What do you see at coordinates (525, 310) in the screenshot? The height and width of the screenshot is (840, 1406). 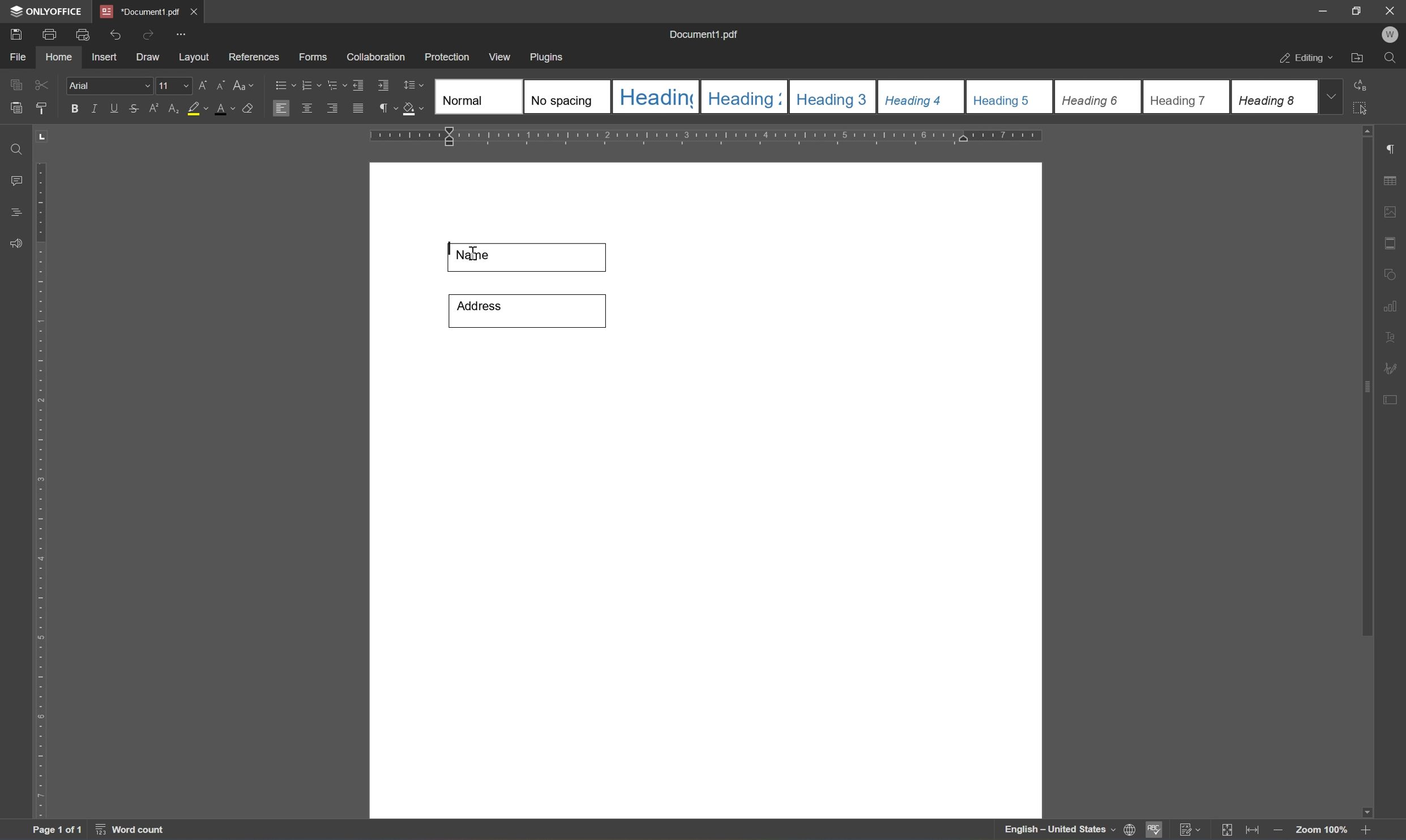 I see `Address` at bounding box center [525, 310].